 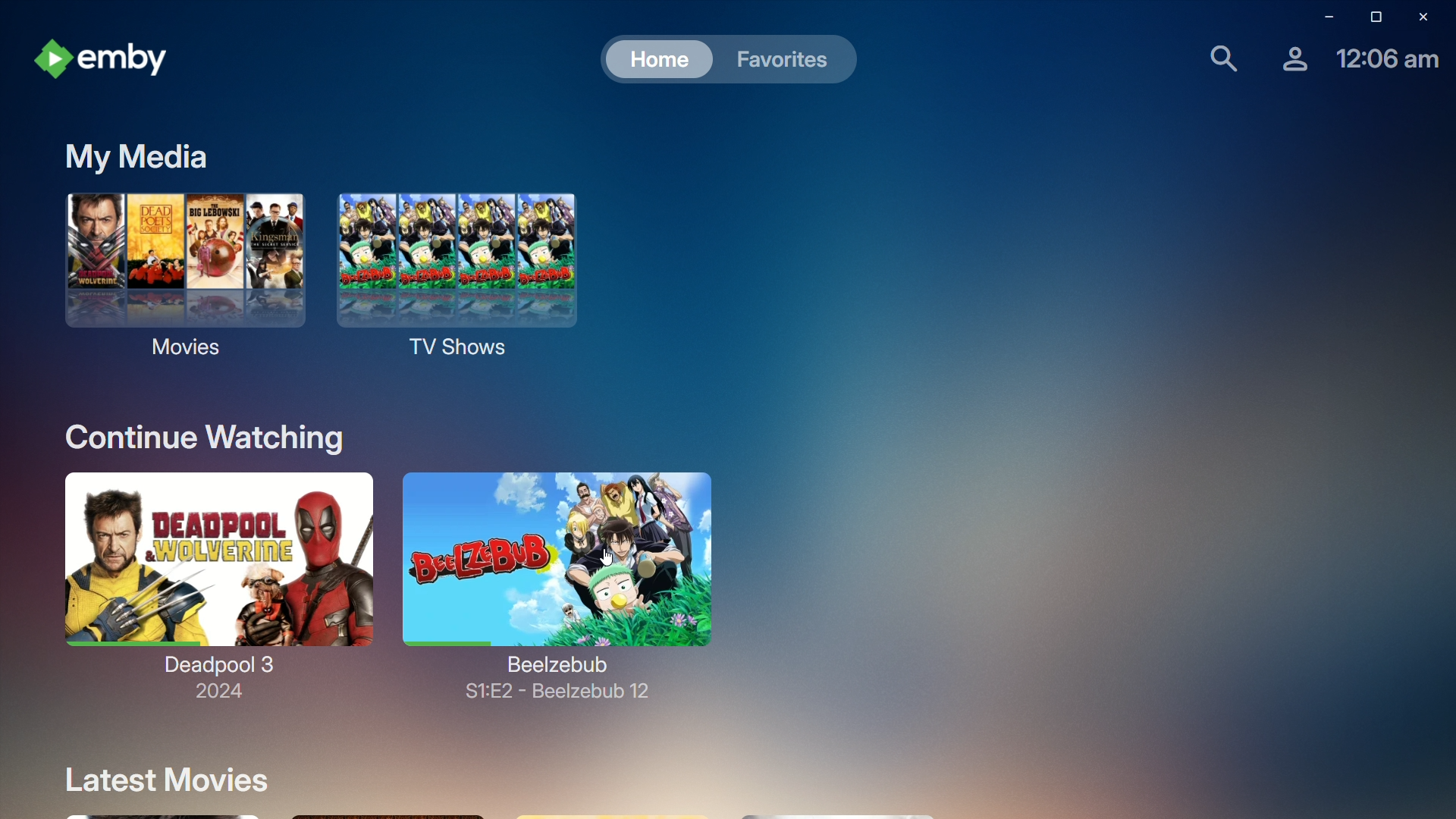 What do you see at coordinates (1368, 17) in the screenshot?
I see `restore` at bounding box center [1368, 17].